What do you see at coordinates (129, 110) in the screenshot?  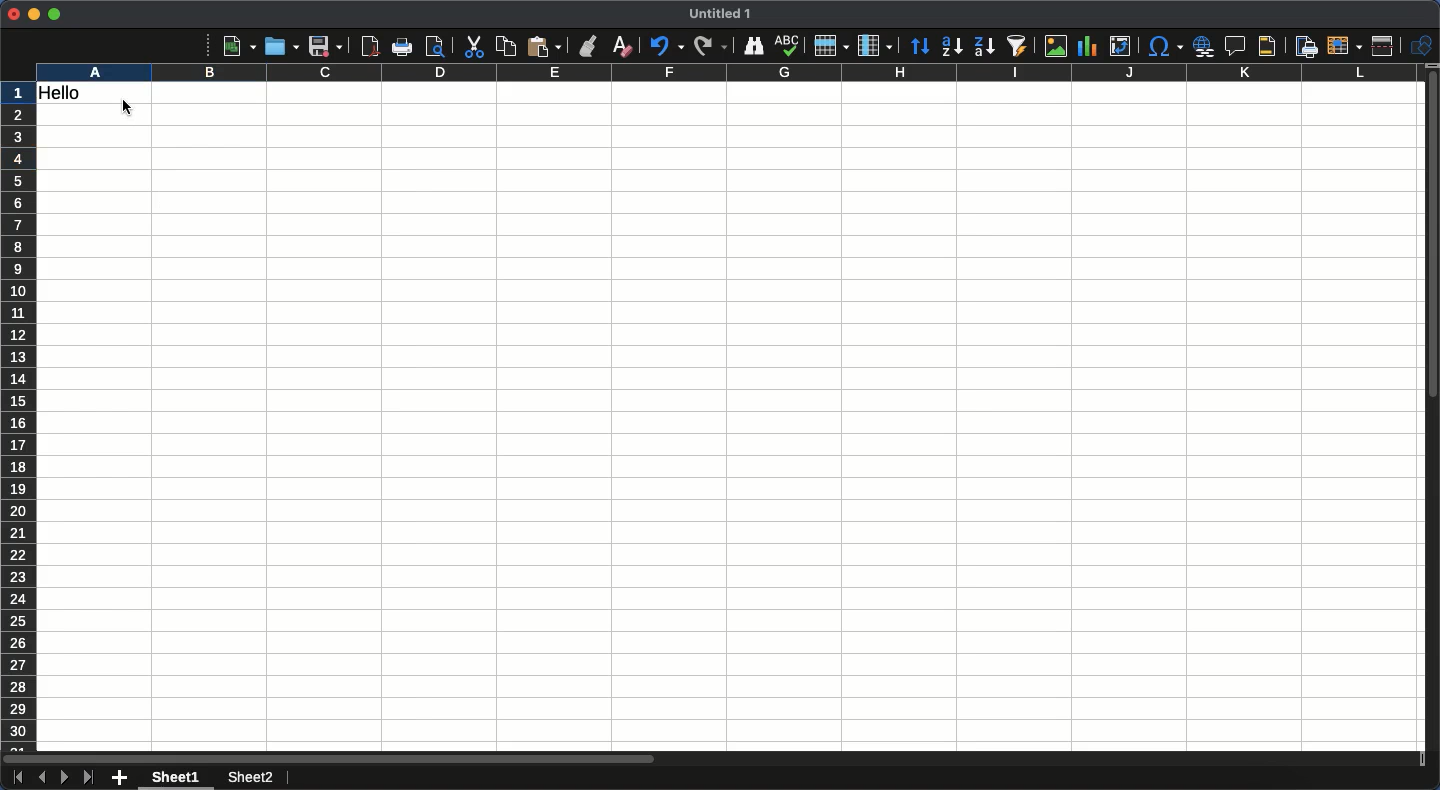 I see `cursor` at bounding box center [129, 110].